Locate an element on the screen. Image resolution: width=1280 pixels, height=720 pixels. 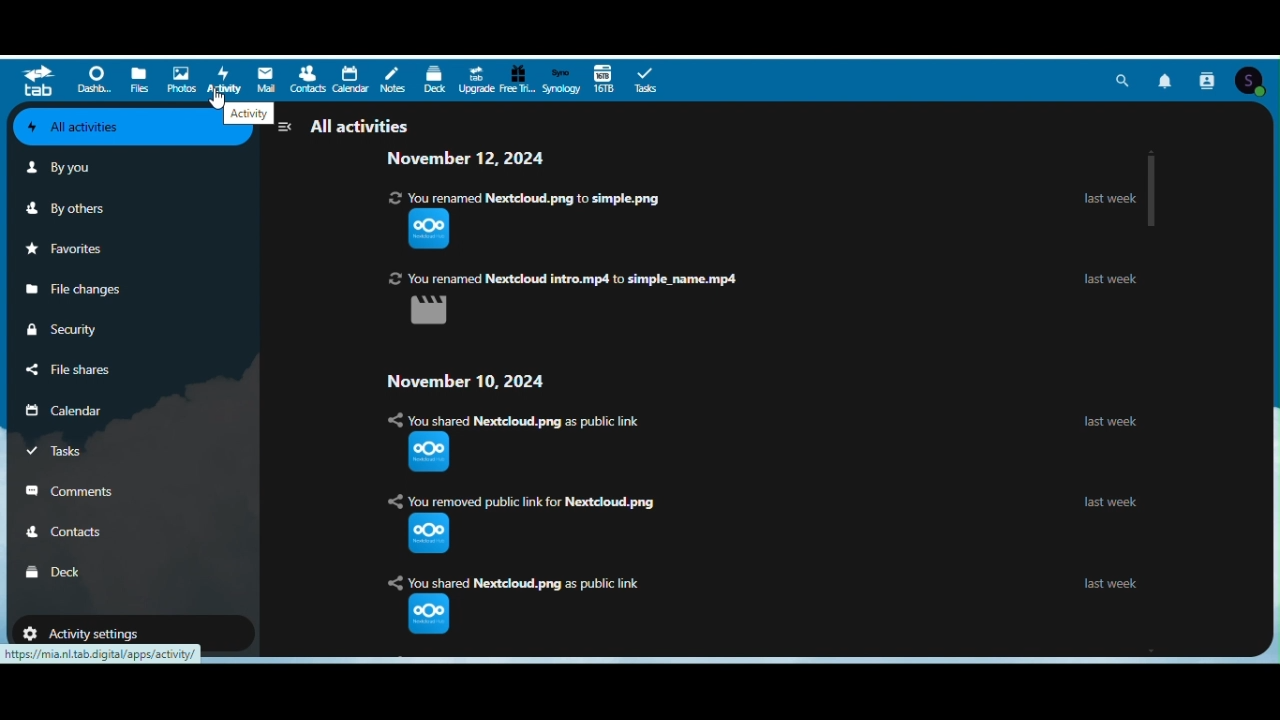
Calendar is located at coordinates (349, 79).